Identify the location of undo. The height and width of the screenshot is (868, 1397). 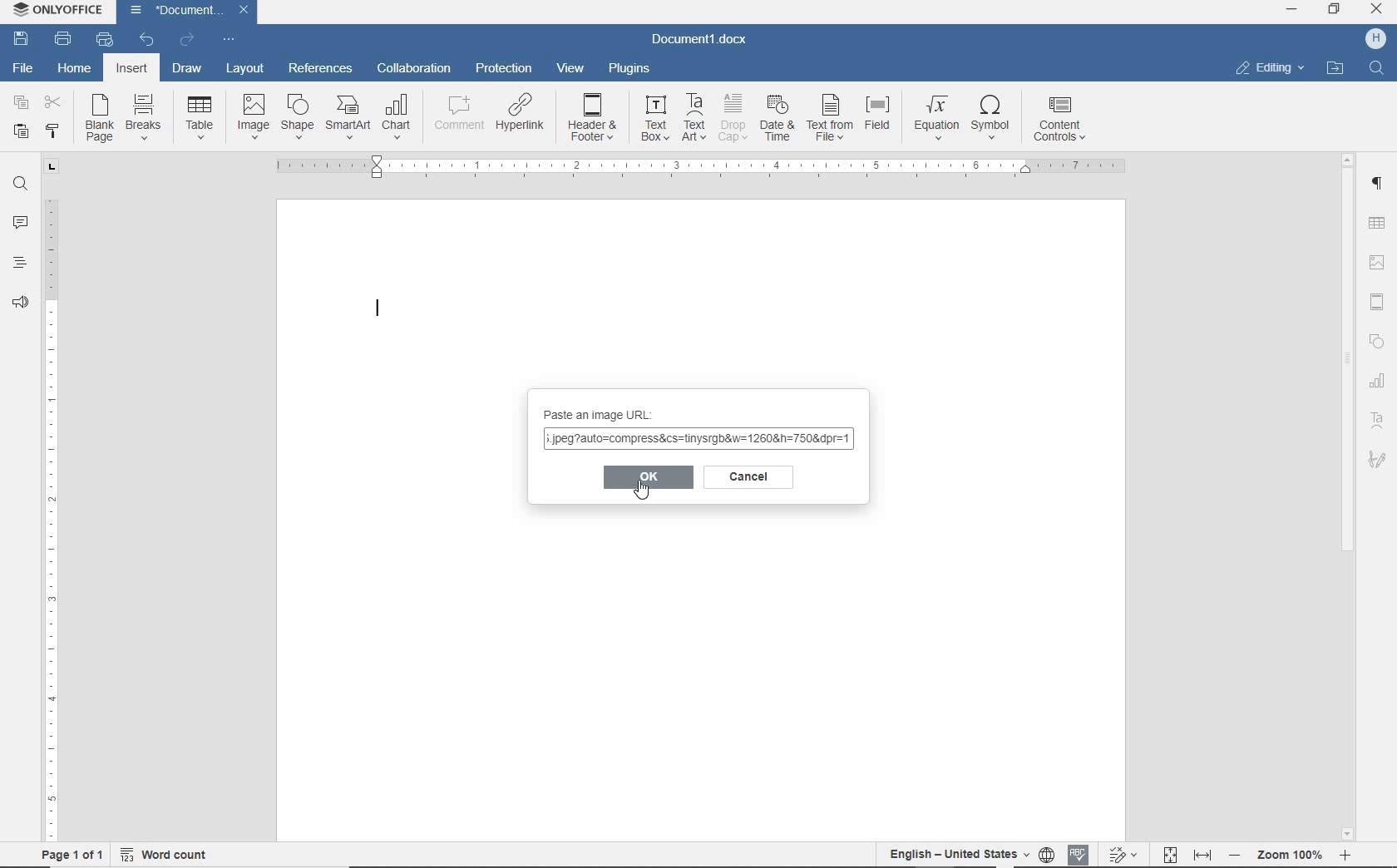
(146, 40).